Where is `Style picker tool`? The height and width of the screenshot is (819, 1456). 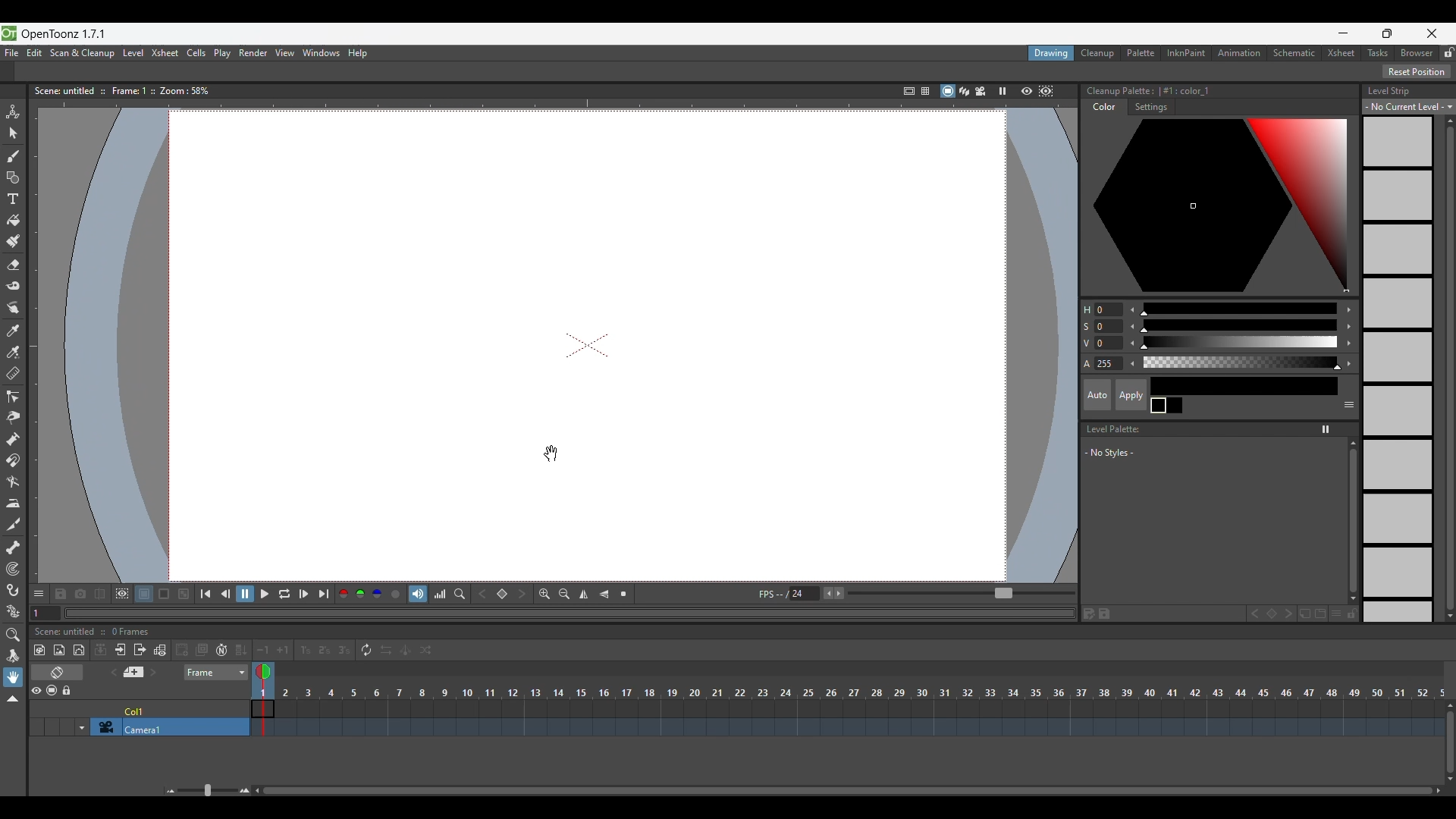 Style picker tool is located at coordinates (13, 331).